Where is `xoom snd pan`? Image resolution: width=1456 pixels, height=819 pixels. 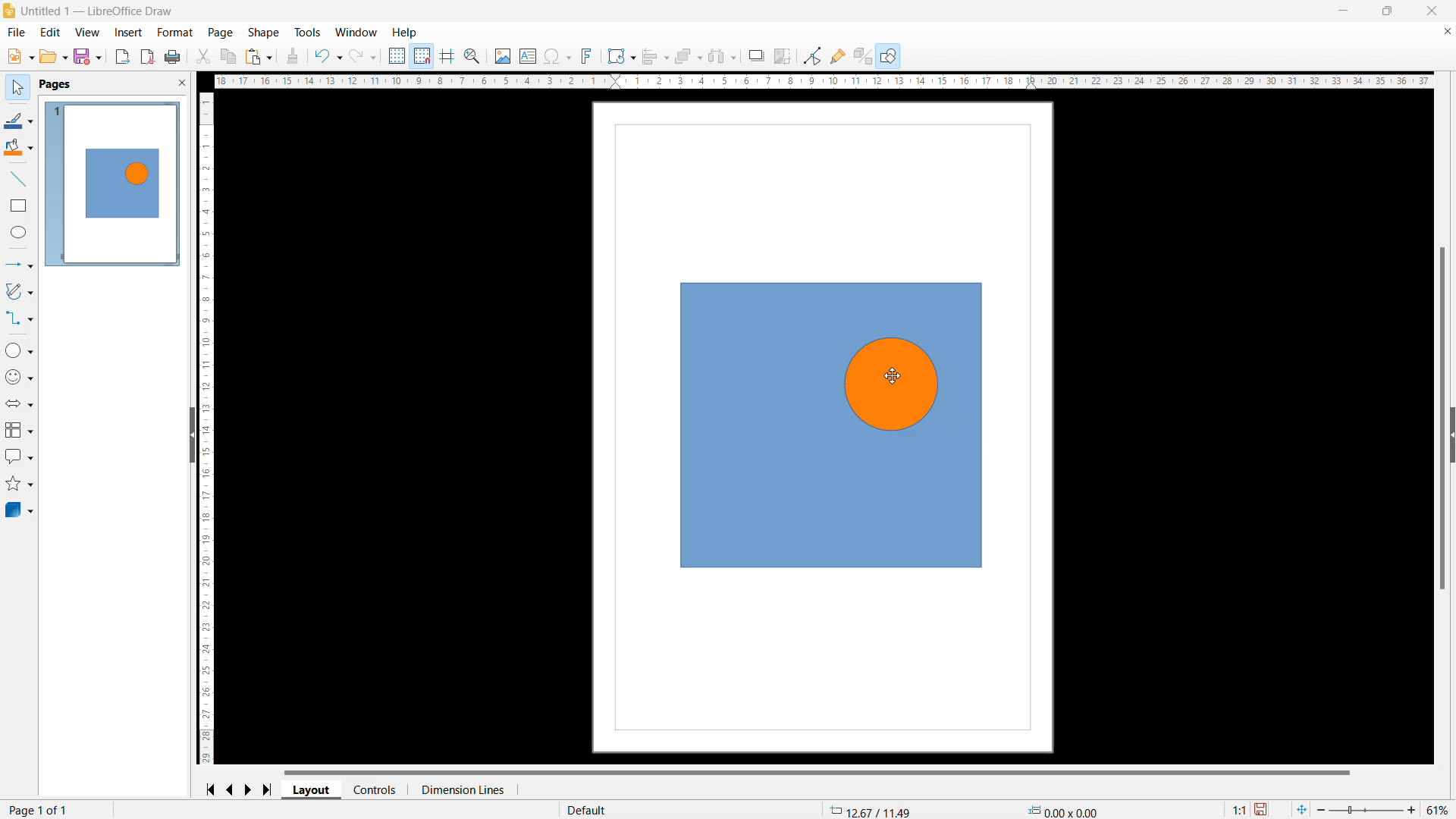
xoom snd pan is located at coordinates (471, 56).